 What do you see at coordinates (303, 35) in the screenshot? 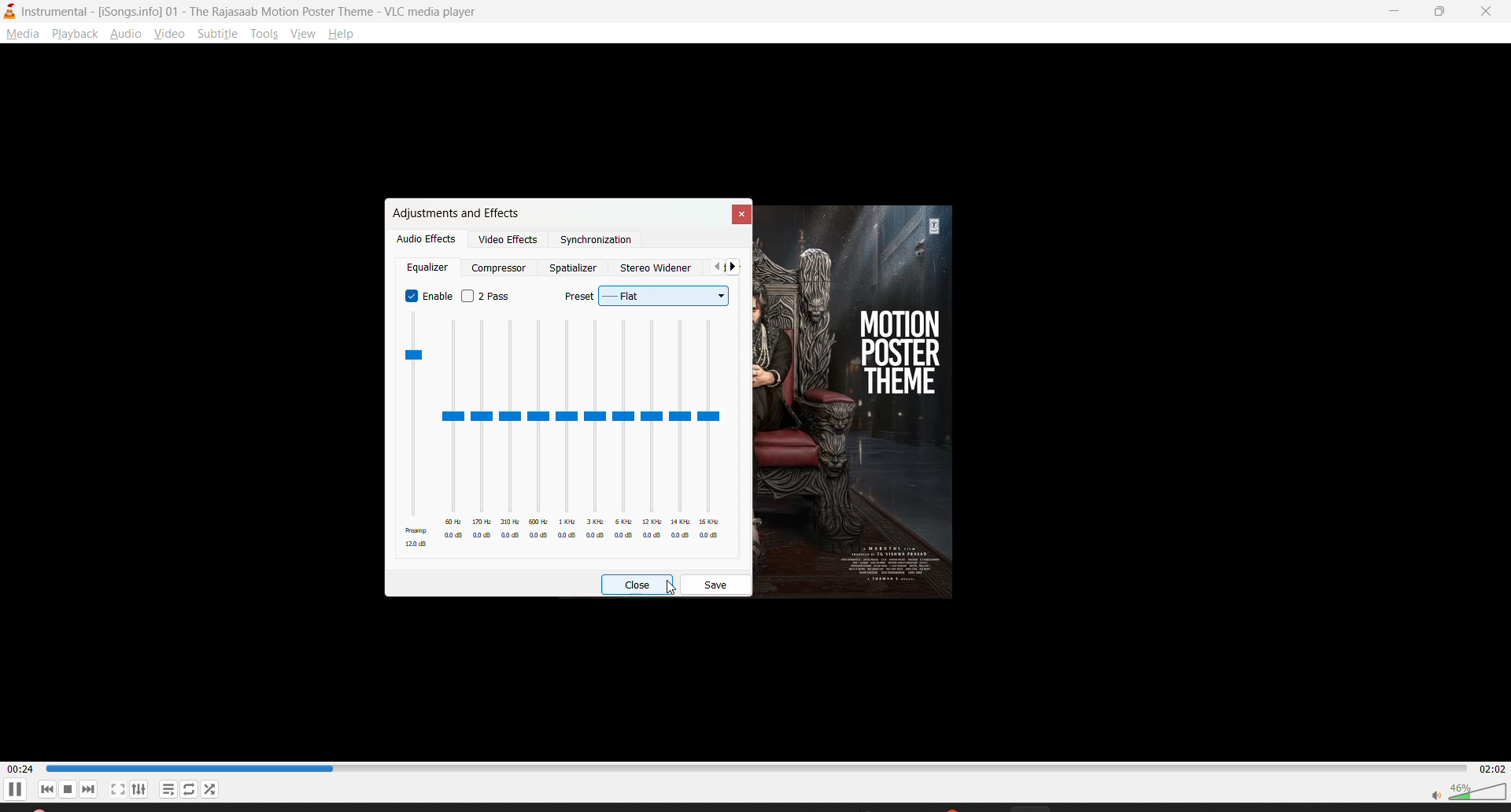
I see `view` at bounding box center [303, 35].